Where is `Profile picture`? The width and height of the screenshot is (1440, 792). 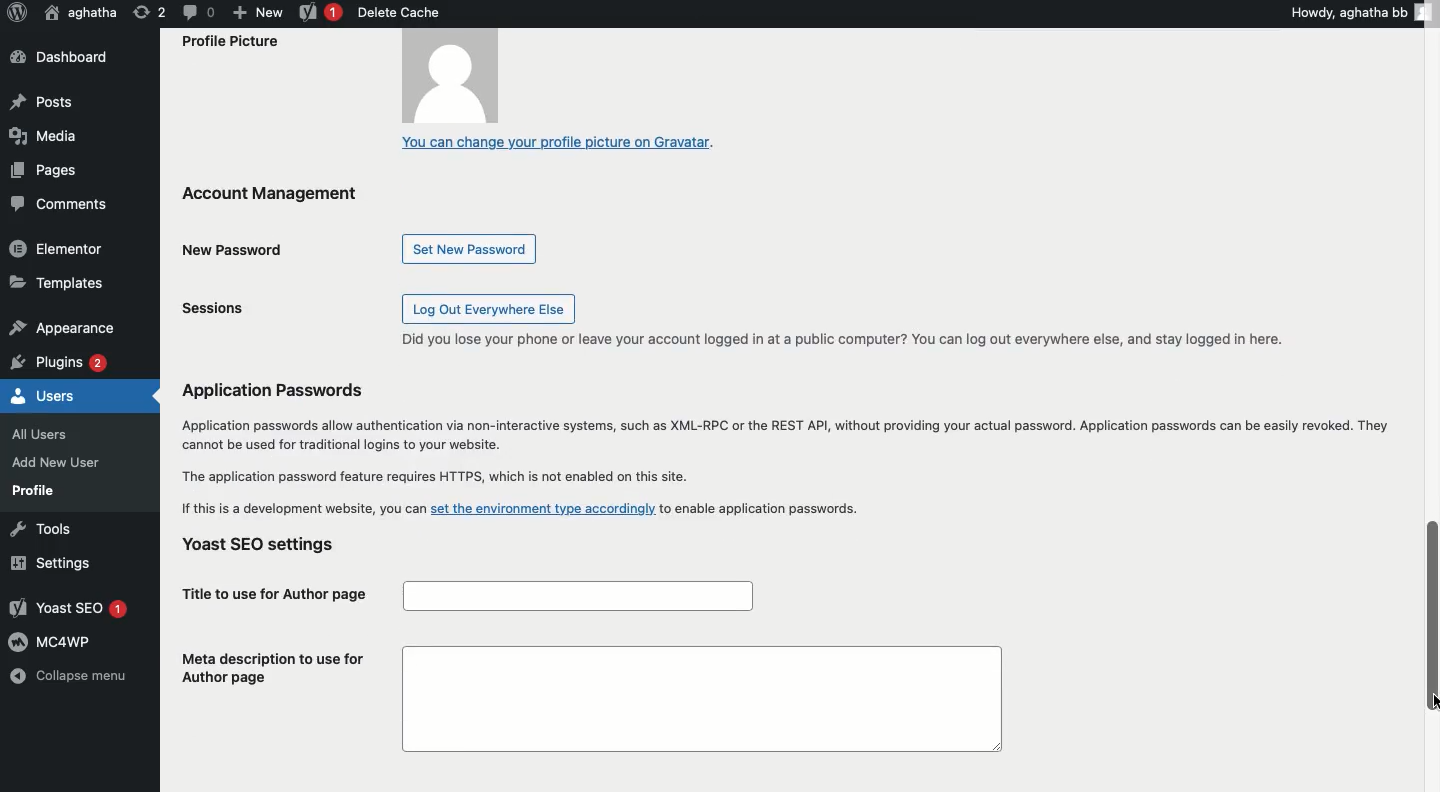 Profile picture is located at coordinates (353, 79).